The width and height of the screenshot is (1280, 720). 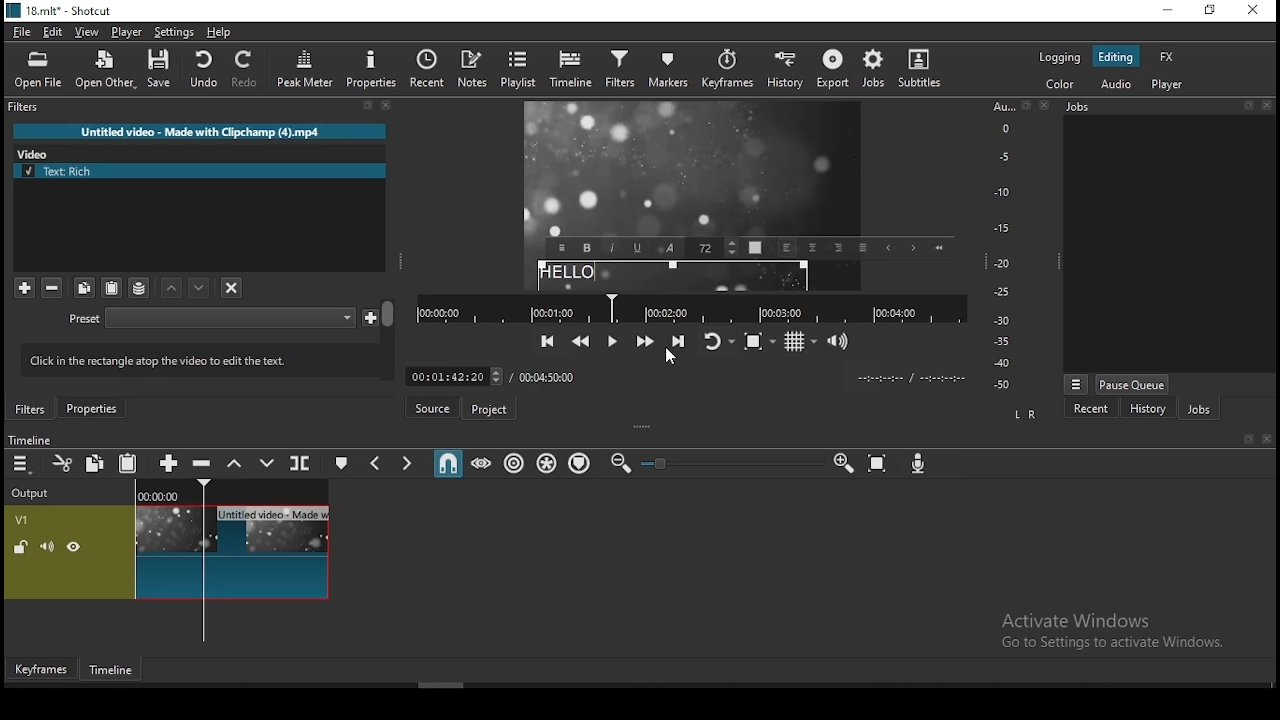 I want to click on zoom timeline out, so click(x=620, y=463).